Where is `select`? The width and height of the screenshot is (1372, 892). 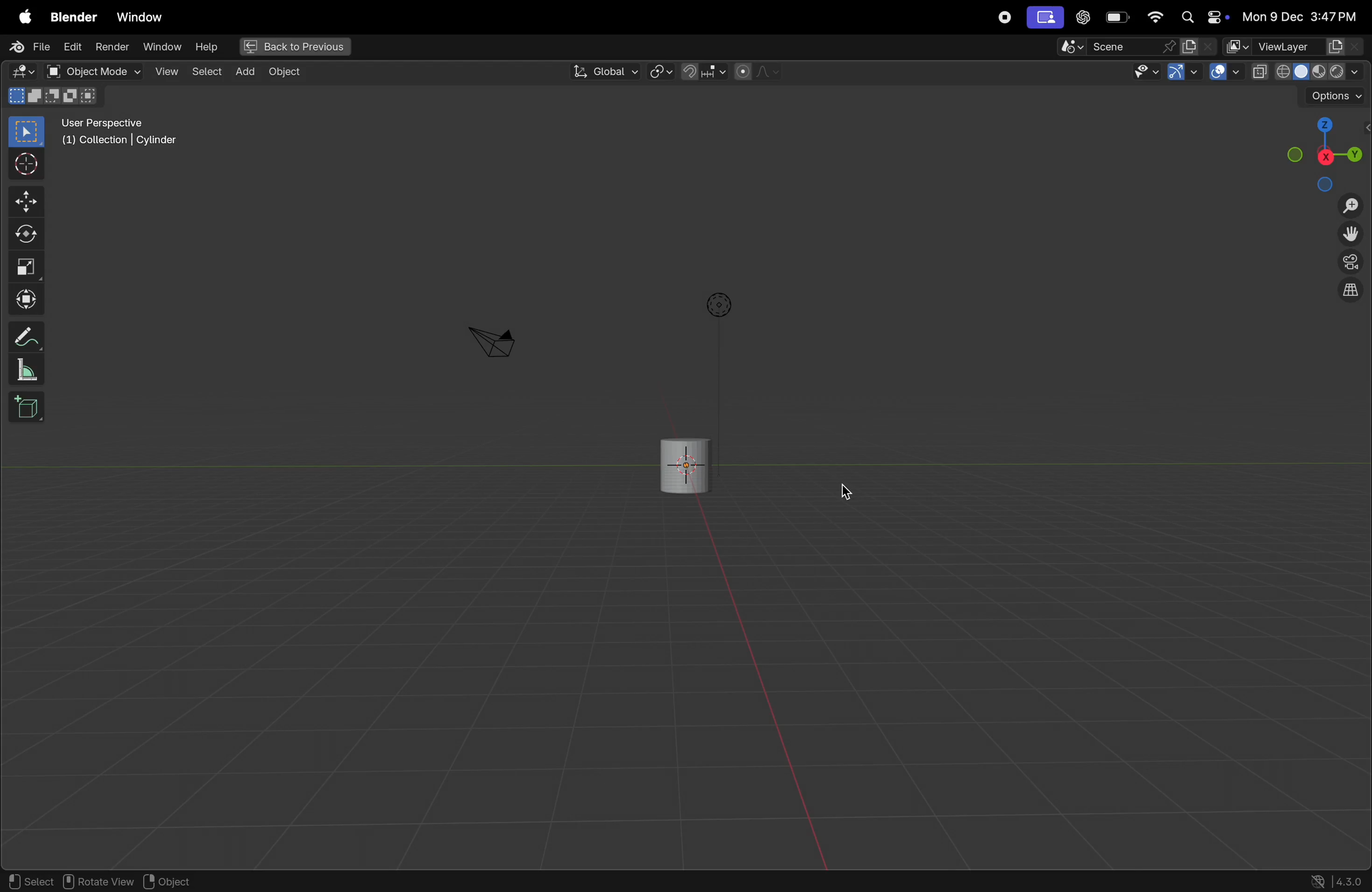 select is located at coordinates (29, 881).